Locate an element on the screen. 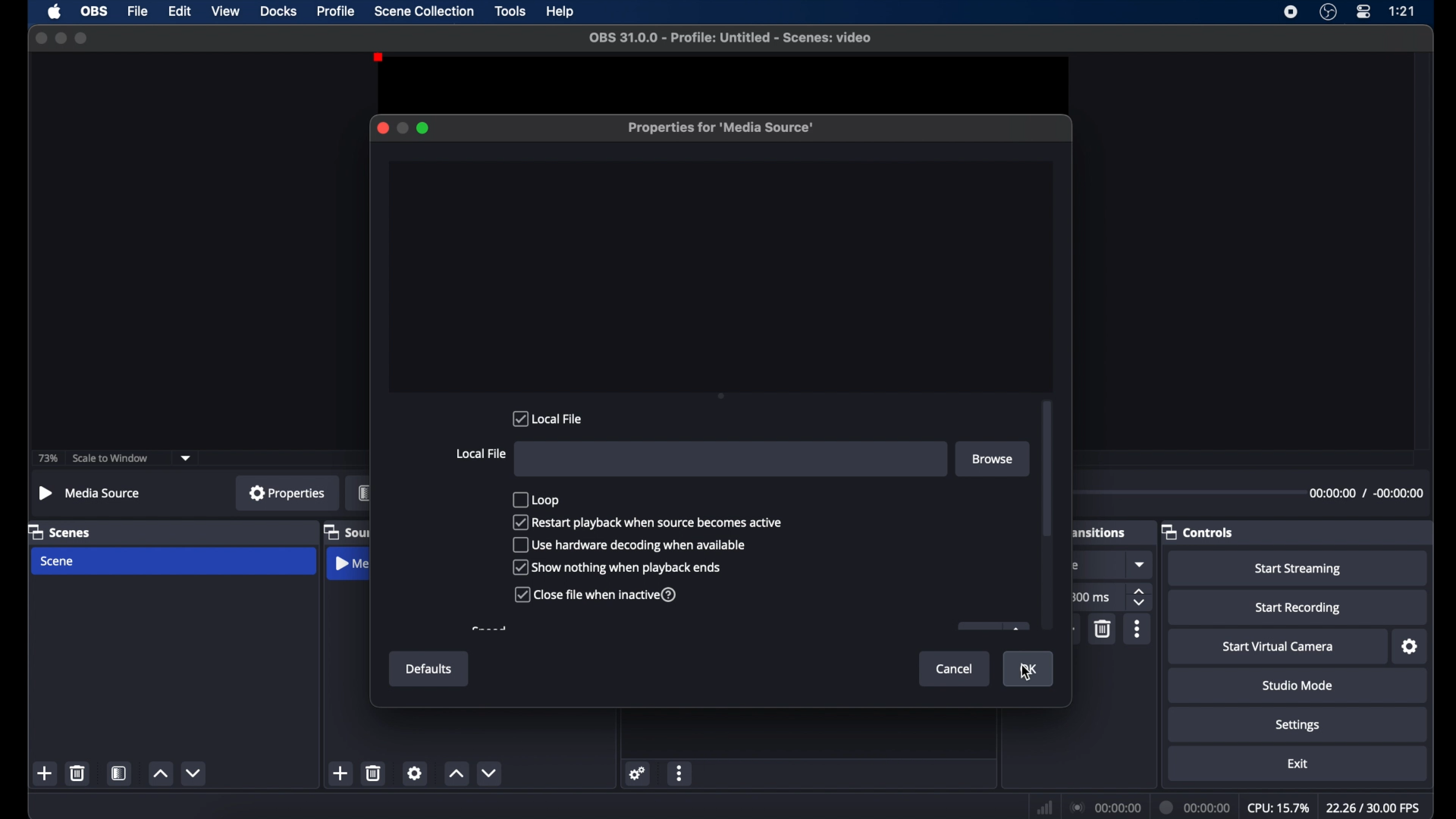 This screenshot has height=819, width=1456. ok is located at coordinates (1025, 670).